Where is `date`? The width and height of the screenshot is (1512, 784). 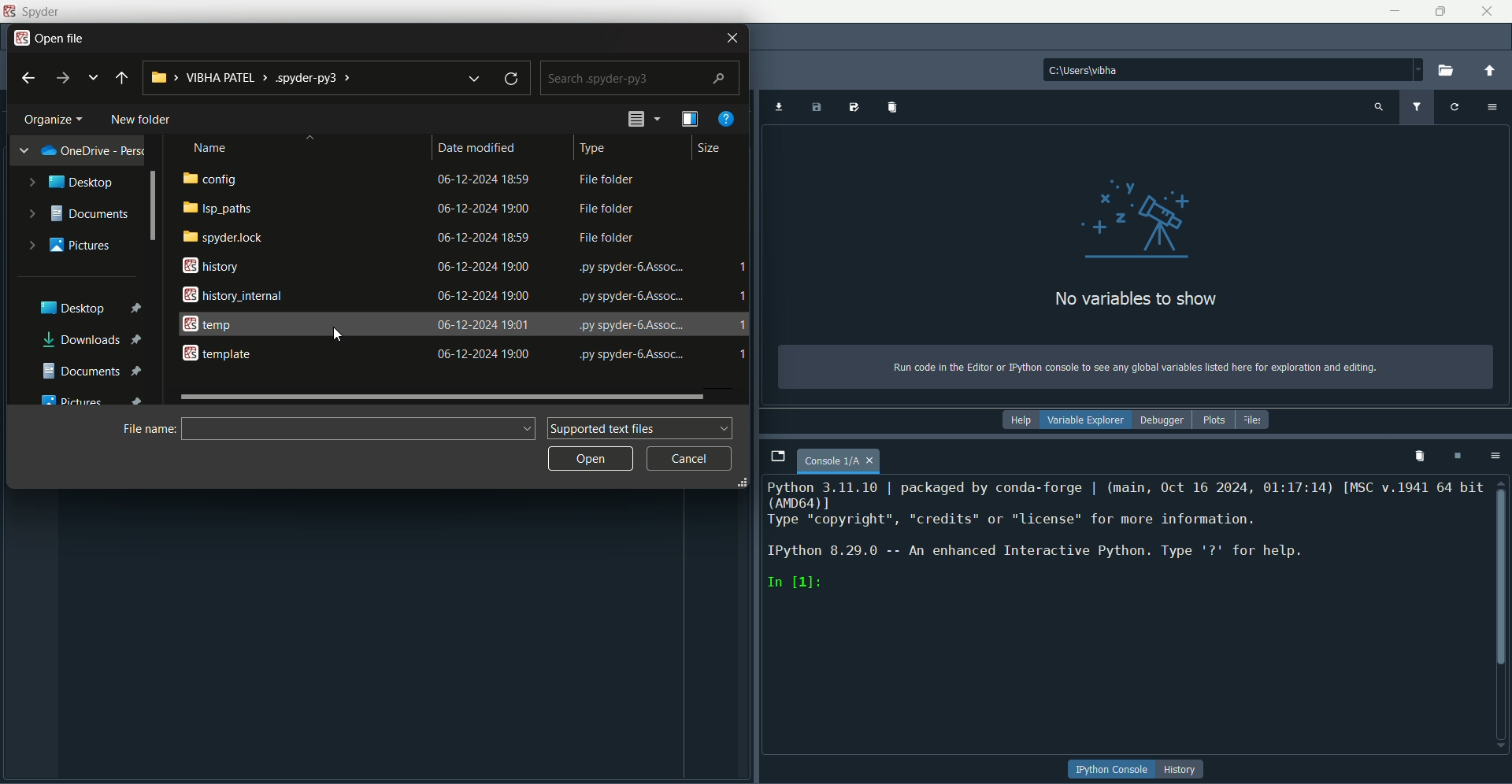
date is located at coordinates (484, 179).